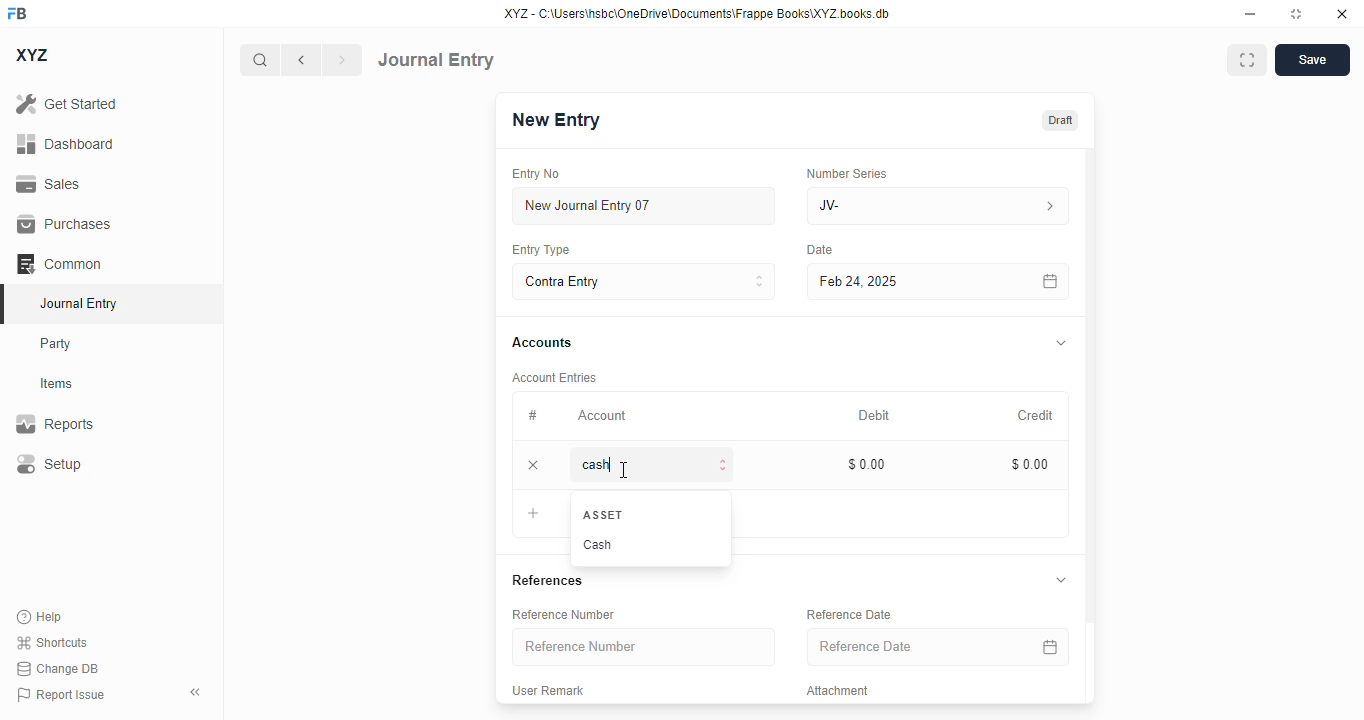 This screenshot has width=1364, height=720. Describe the element at coordinates (1051, 281) in the screenshot. I see `calendar icon` at that location.